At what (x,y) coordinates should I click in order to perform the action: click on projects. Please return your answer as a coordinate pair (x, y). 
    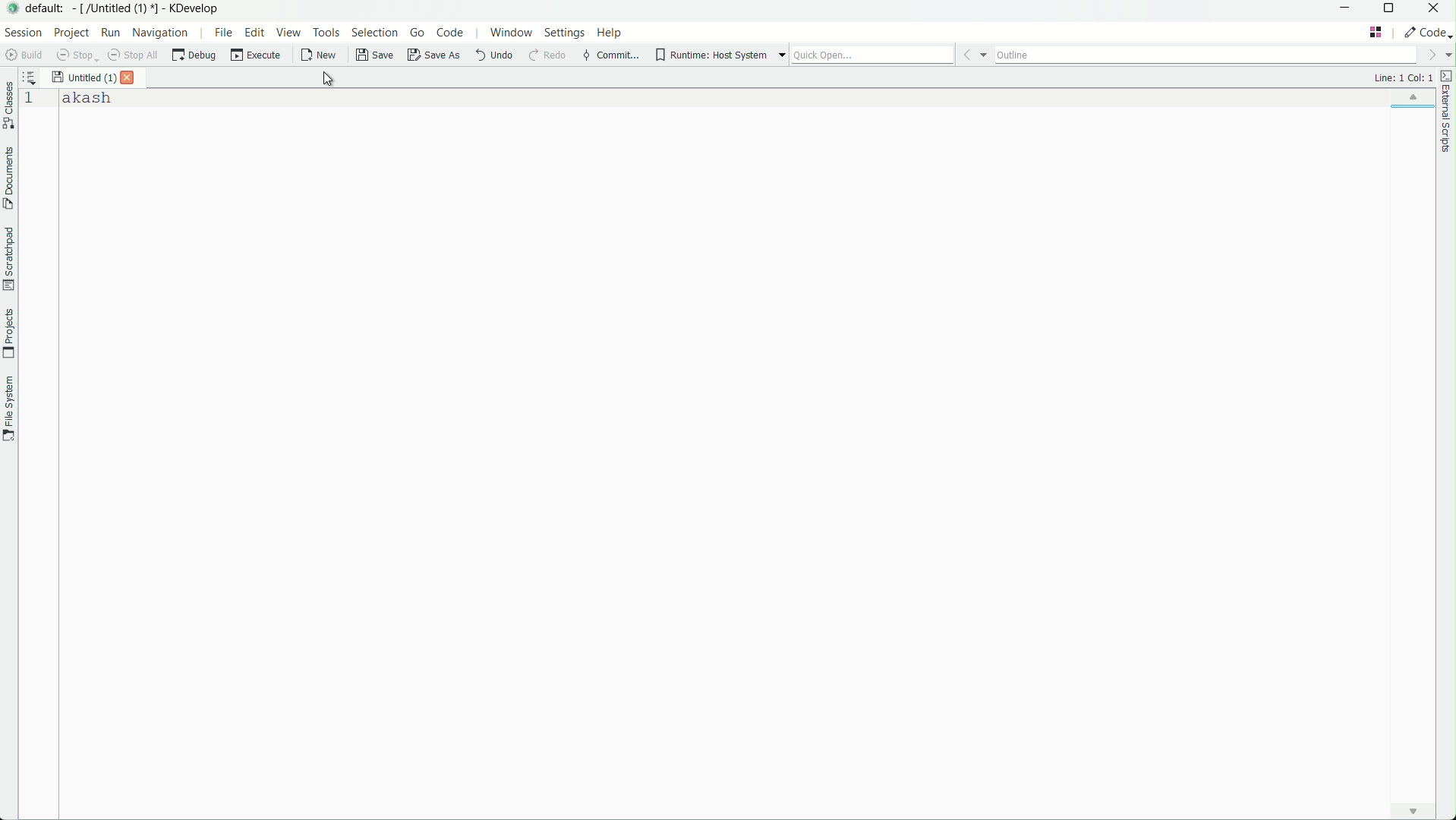
    Looking at the image, I should click on (10, 335).